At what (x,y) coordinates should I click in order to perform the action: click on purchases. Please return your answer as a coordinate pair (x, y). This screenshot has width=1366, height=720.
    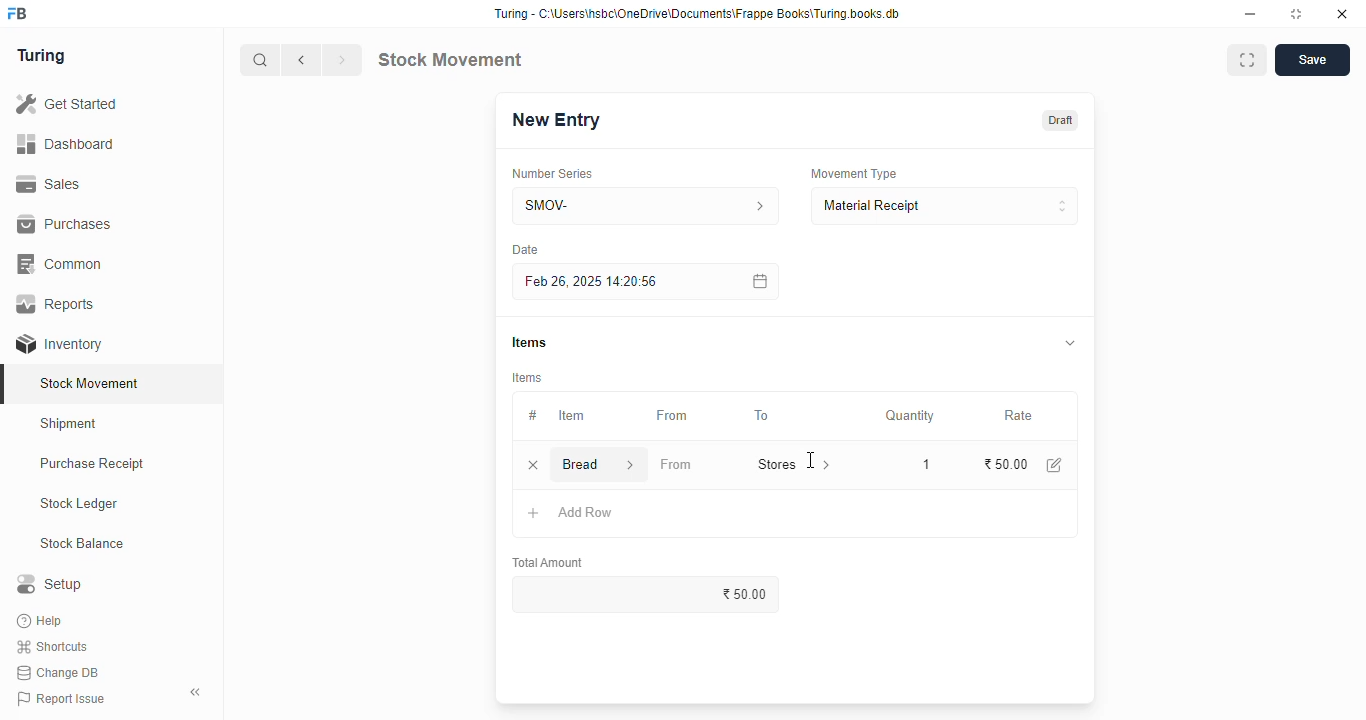
    Looking at the image, I should click on (64, 224).